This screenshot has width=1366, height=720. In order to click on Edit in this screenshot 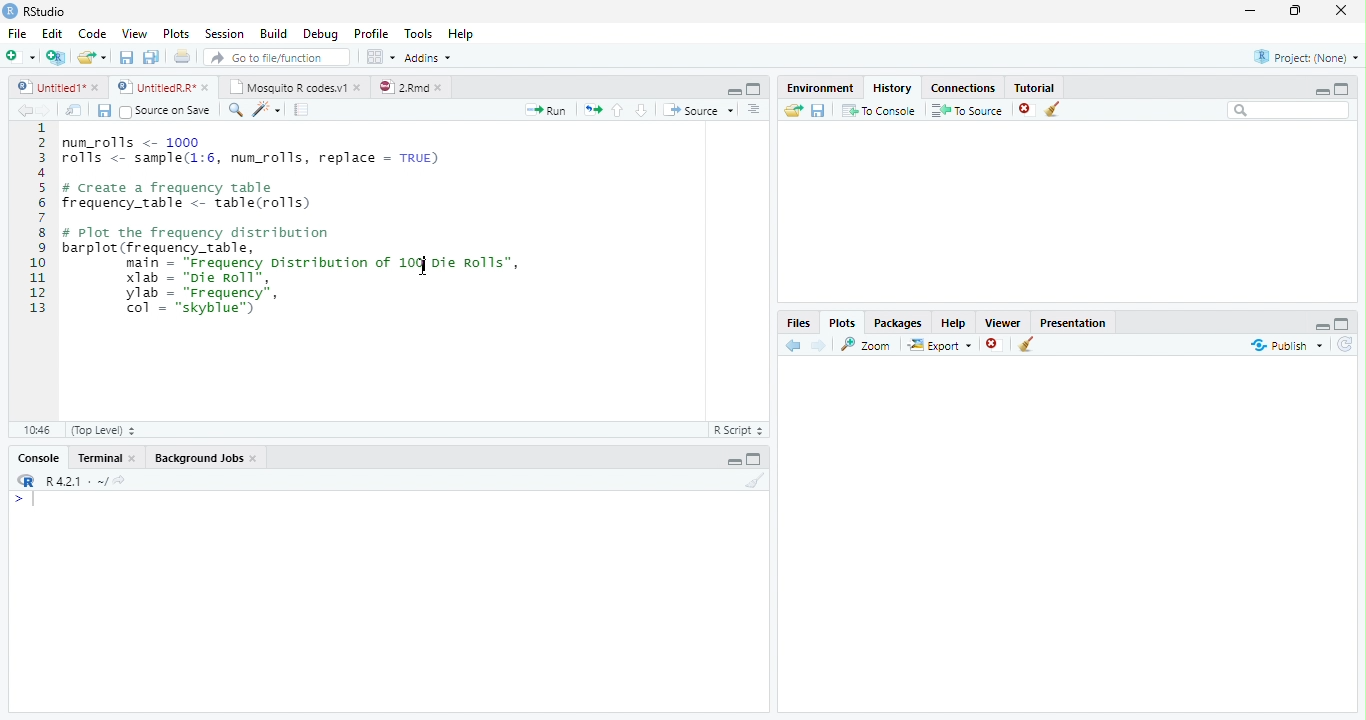, I will do `click(53, 31)`.